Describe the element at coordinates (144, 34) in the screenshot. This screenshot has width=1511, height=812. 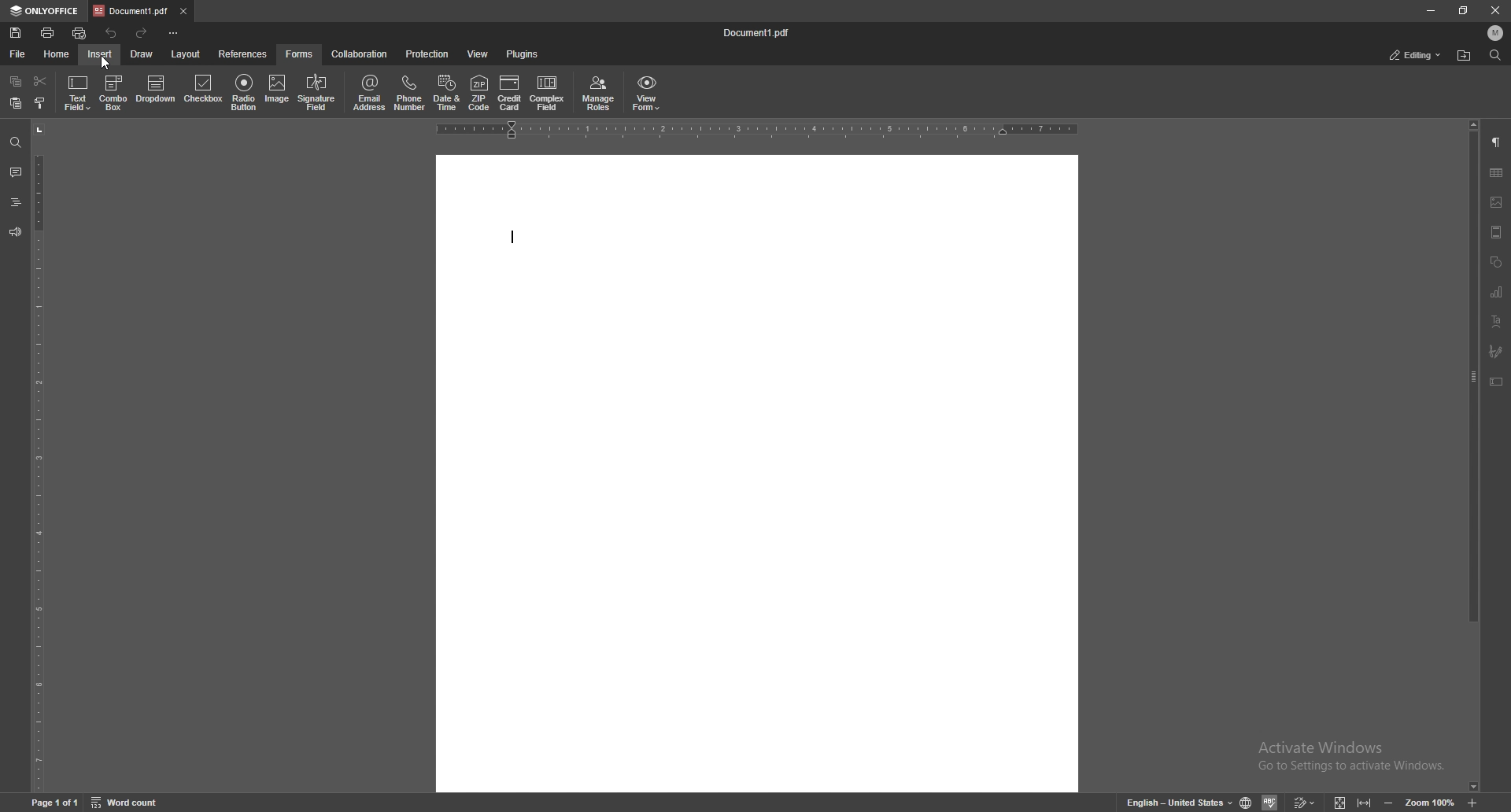
I see `redo` at that location.